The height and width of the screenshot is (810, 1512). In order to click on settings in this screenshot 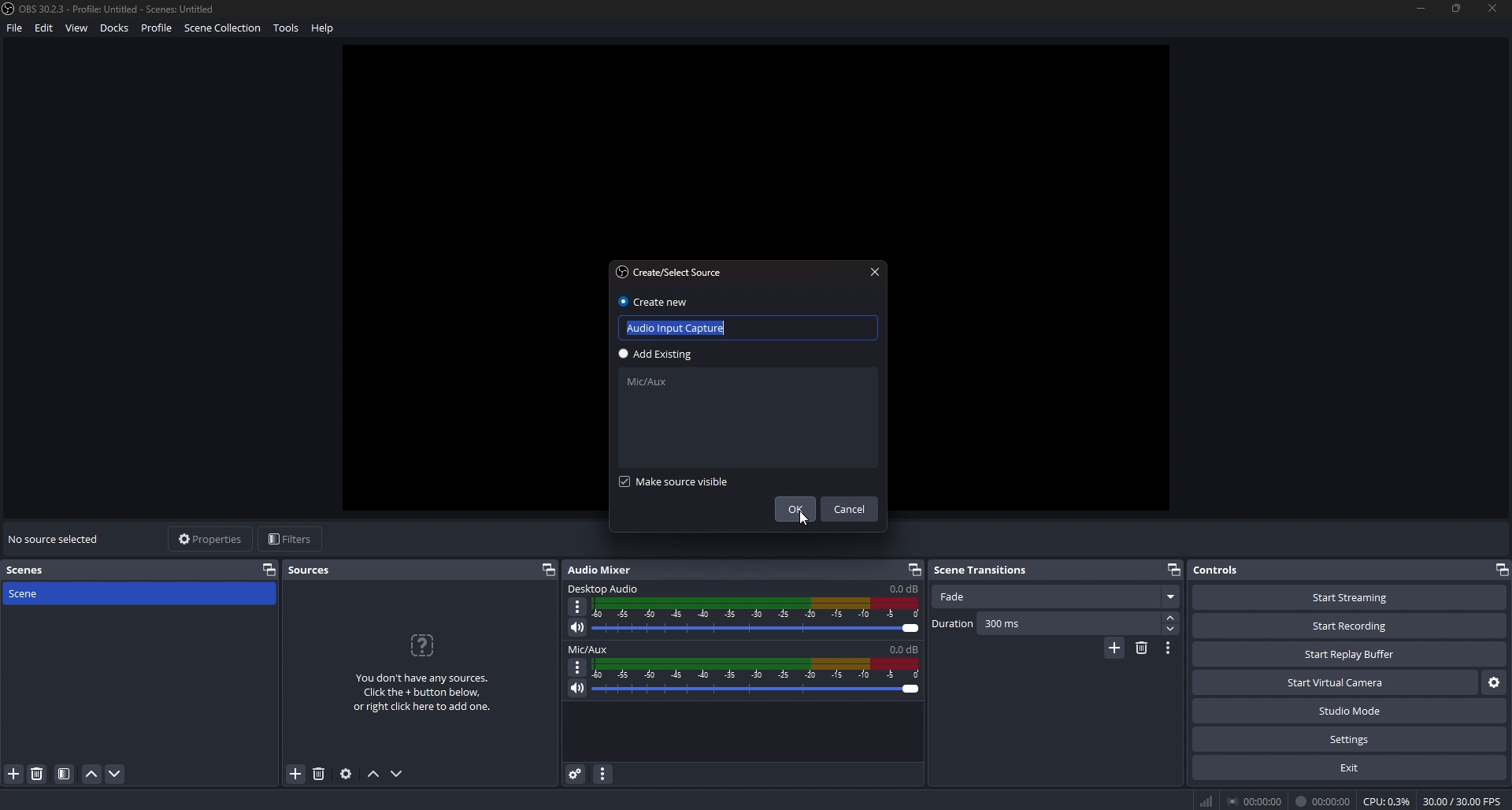, I will do `click(1492, 684)`.